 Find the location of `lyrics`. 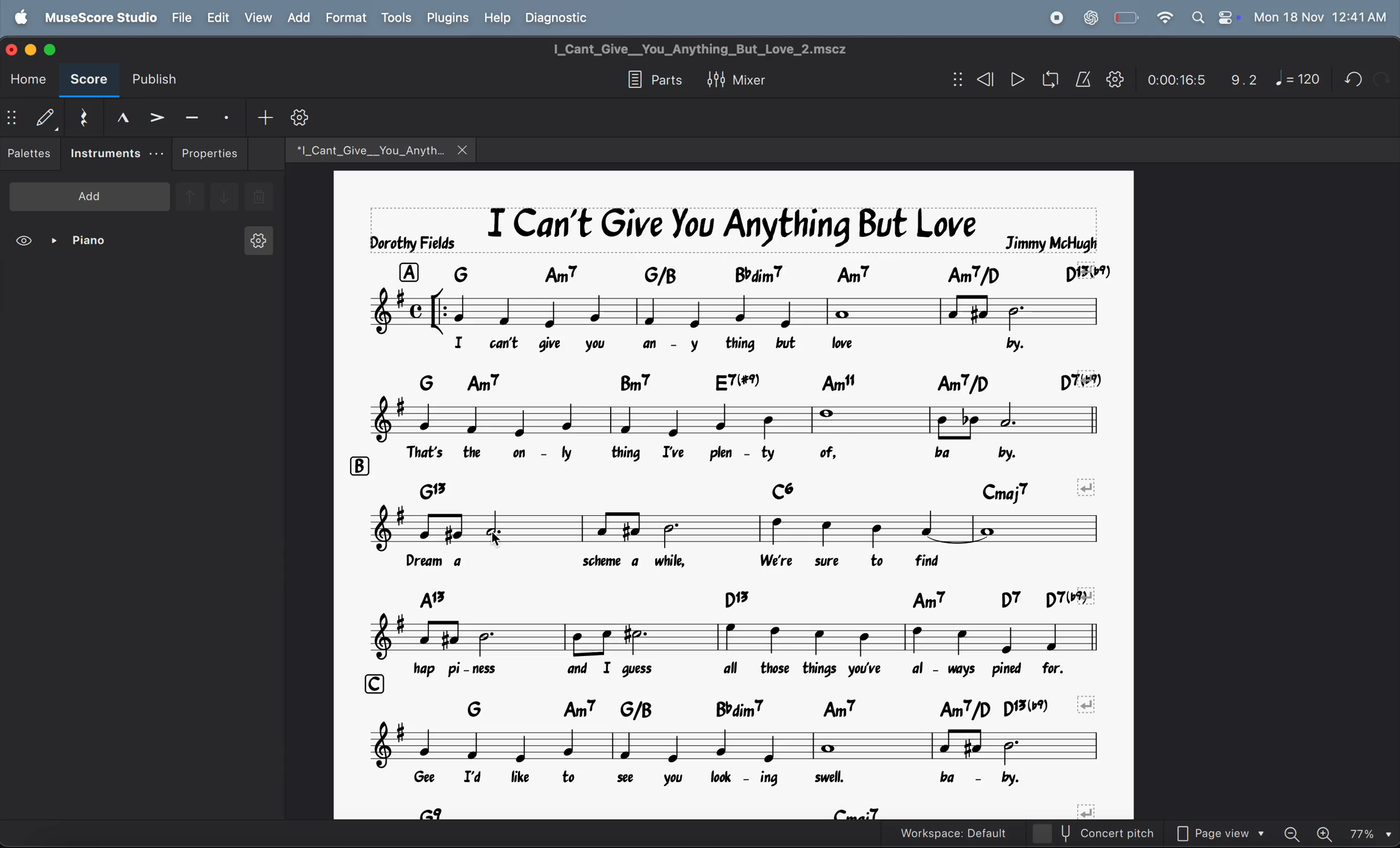

lyrics is located at coordinates (766, 673).